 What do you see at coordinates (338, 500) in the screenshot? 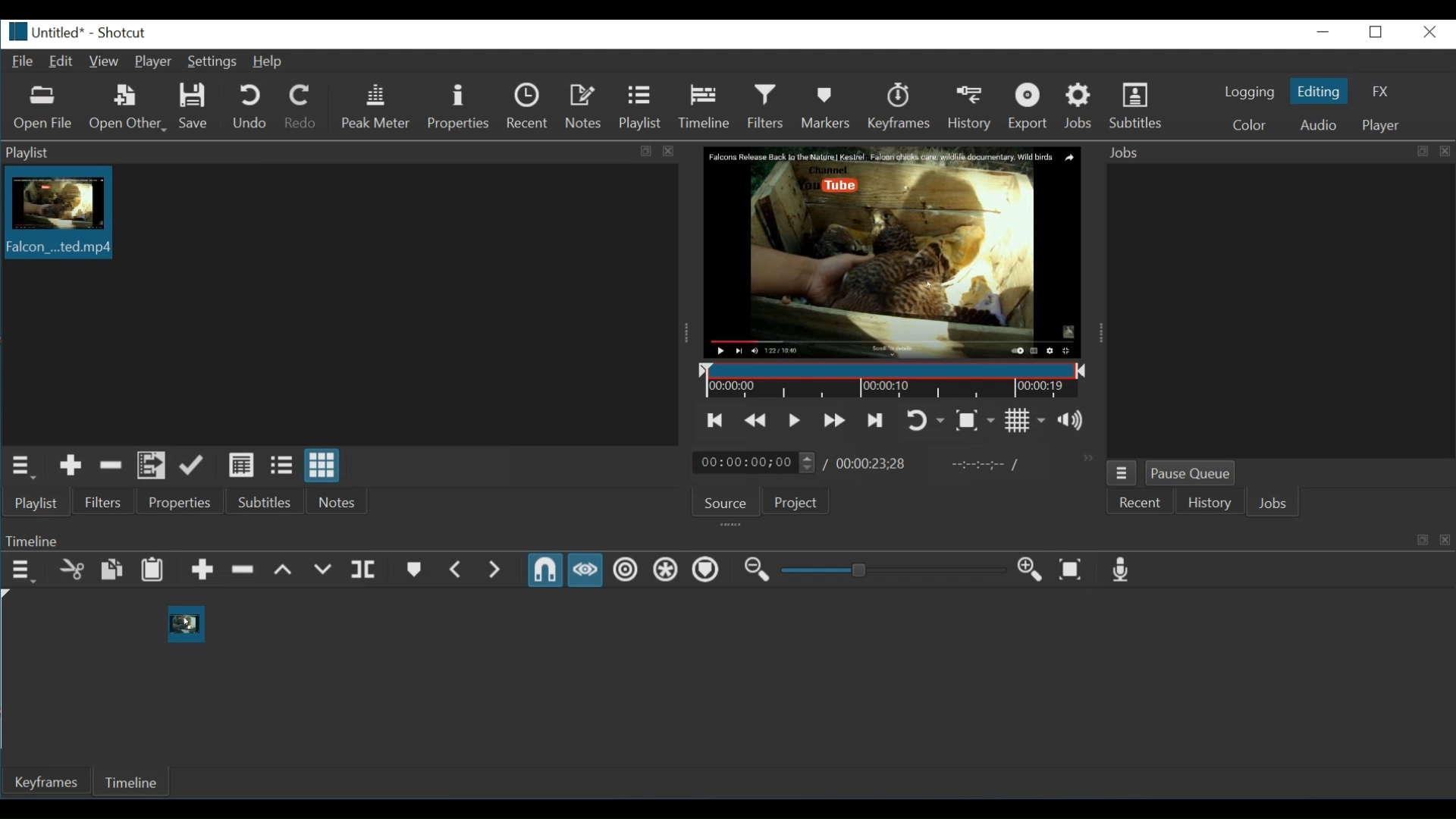
I see `Notes` at bounding box center [338, 500].